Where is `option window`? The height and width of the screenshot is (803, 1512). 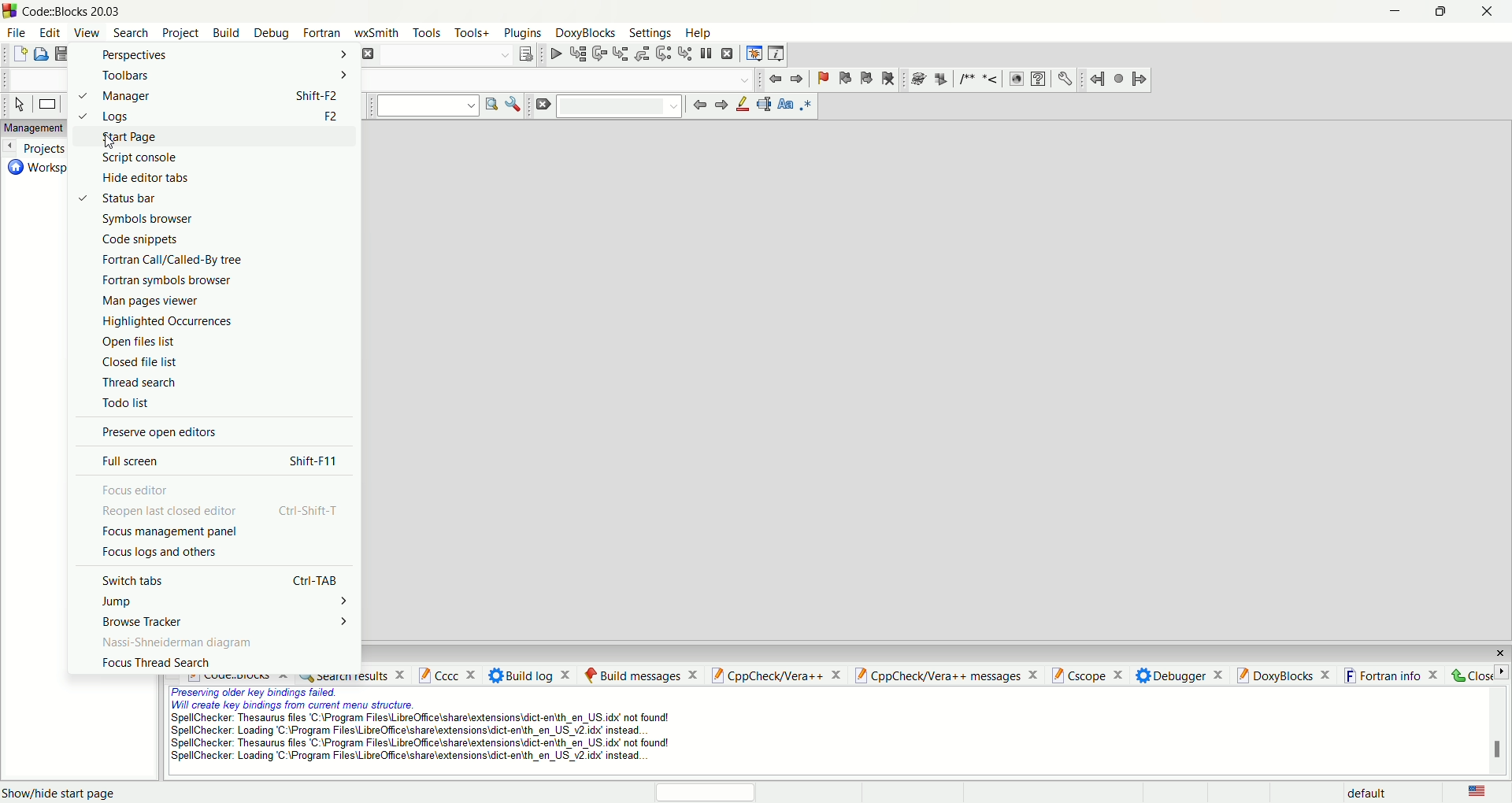 option window is located at coordinates (516, 104).